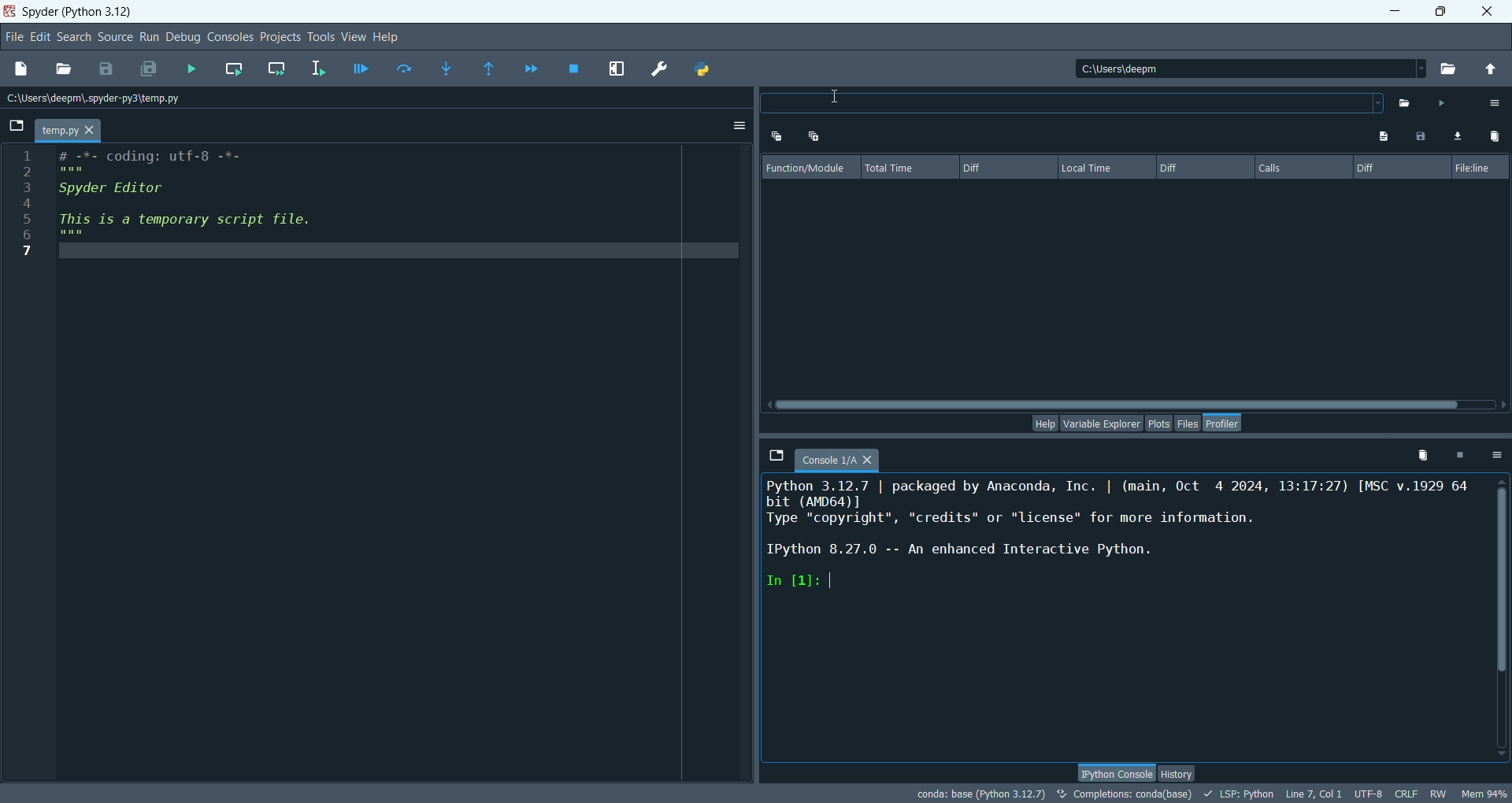 Image resolution: width=1512 pixels, height=803 pixels. I want to click on stop debugging, so click(574, 68).